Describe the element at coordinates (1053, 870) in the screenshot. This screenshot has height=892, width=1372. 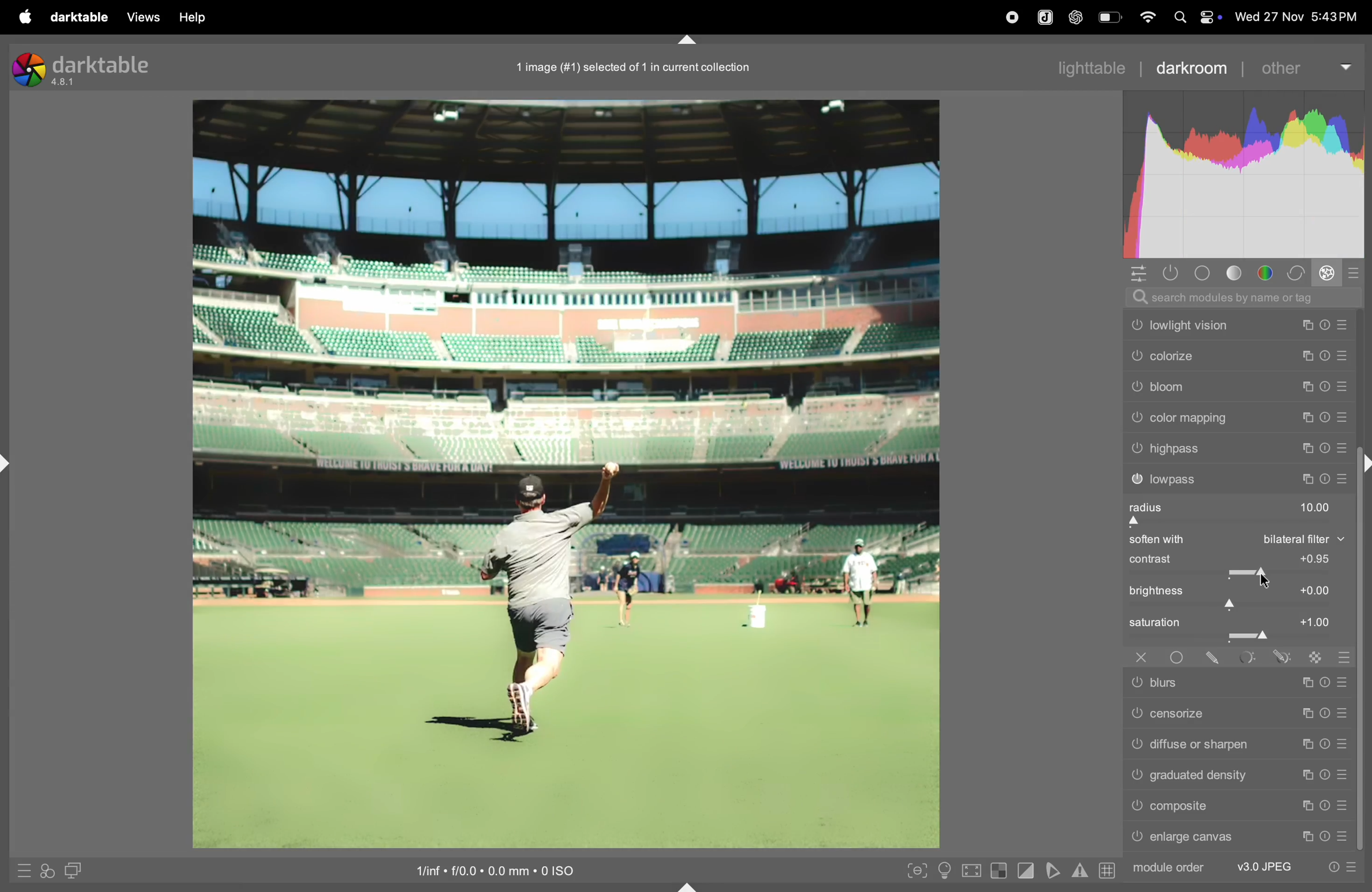
I see `toggle soft proffing` at that location.